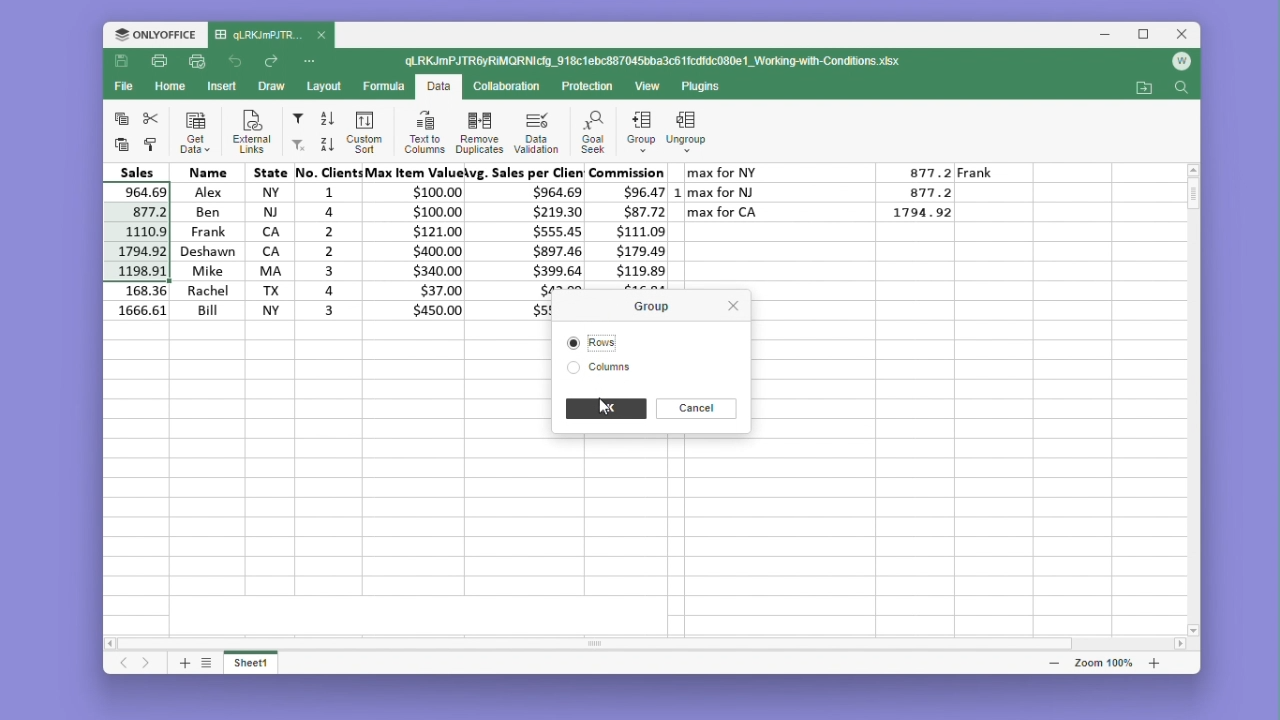 This screenshot has width=1280, height=720. What do you see at coordinates (602, 369) in the screenshot?
I see `columns` at bounding box center [602, 369].